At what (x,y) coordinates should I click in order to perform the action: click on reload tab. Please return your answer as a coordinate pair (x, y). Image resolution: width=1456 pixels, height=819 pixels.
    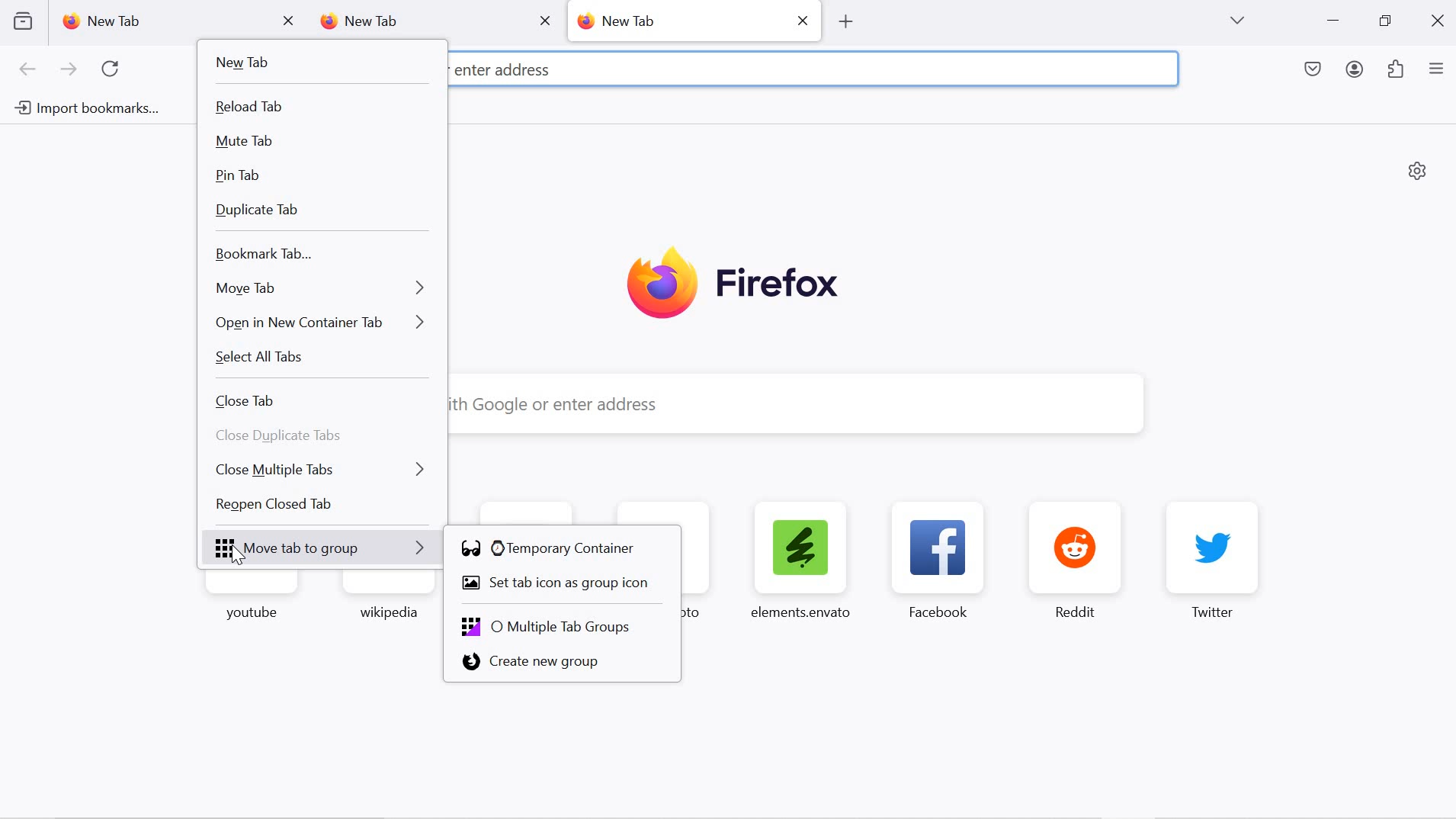
    Looking at the image, I should click on (320, 108).